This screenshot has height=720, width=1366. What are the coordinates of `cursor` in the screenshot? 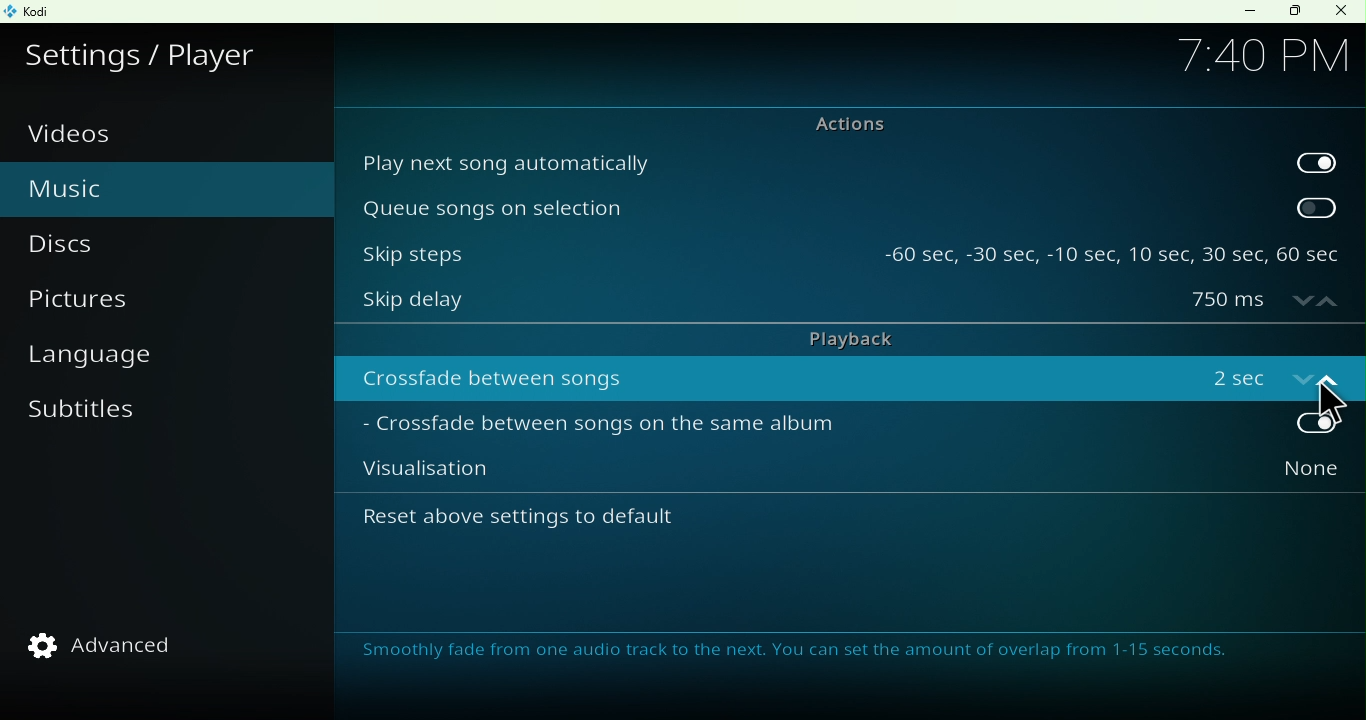 It's located at (1328, 403).